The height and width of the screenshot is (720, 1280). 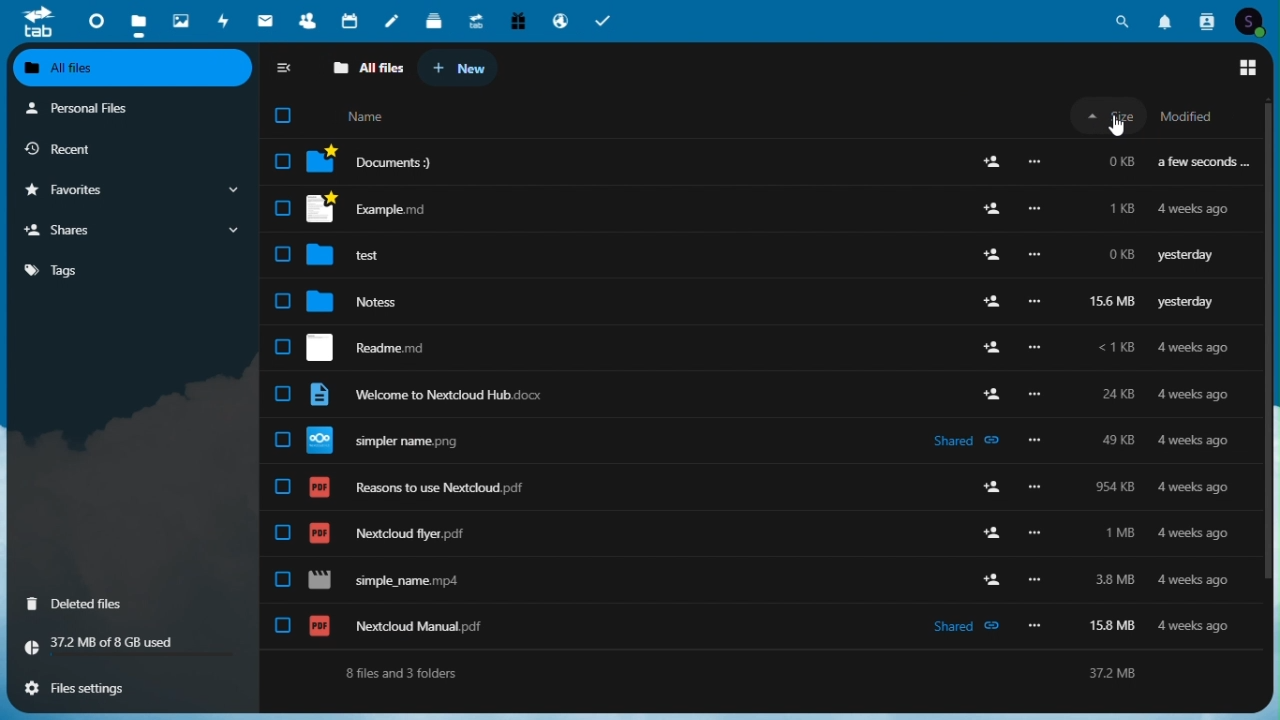 I want to click on Reasons to use Nextcdloud pdf, so click(x=756, y=534).